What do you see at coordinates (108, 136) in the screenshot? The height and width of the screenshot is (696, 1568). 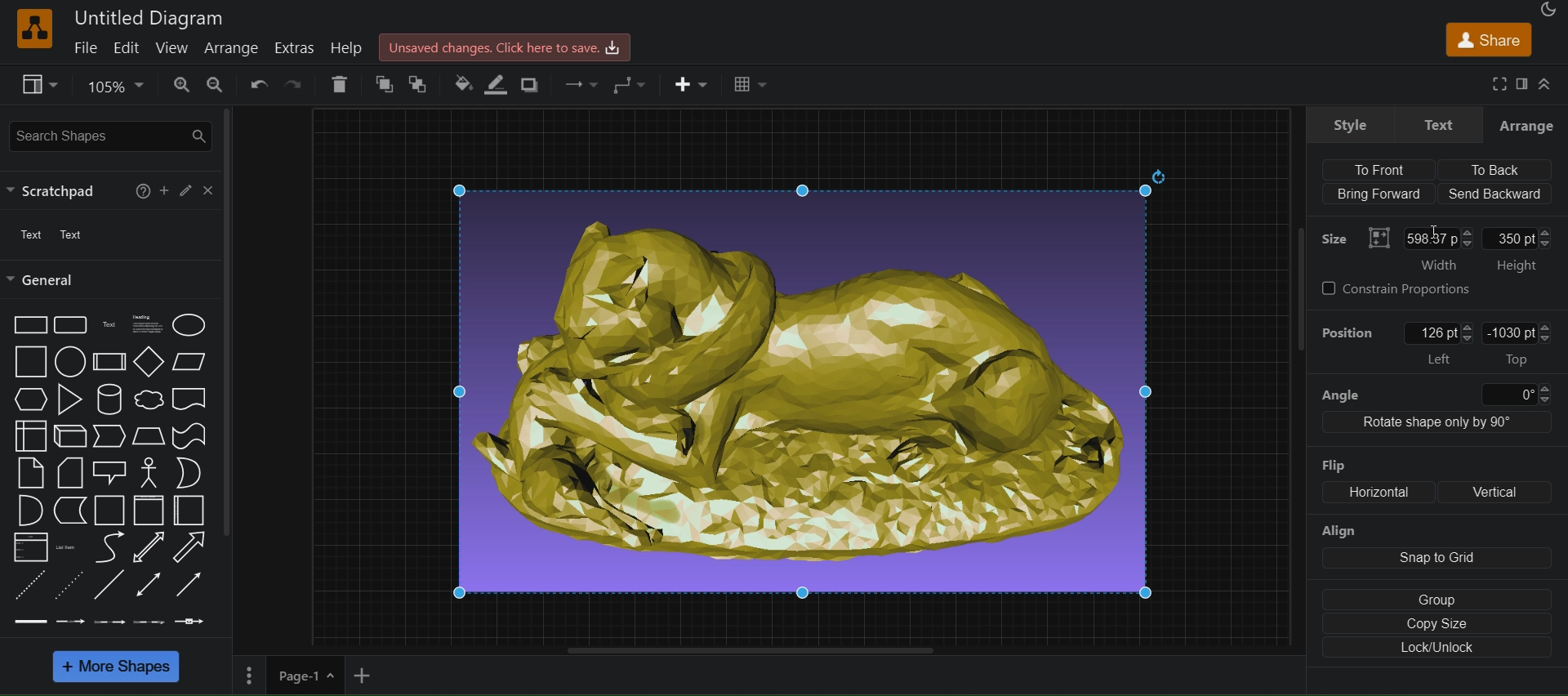 I see `search shapes` at bounding box center [108, 136].